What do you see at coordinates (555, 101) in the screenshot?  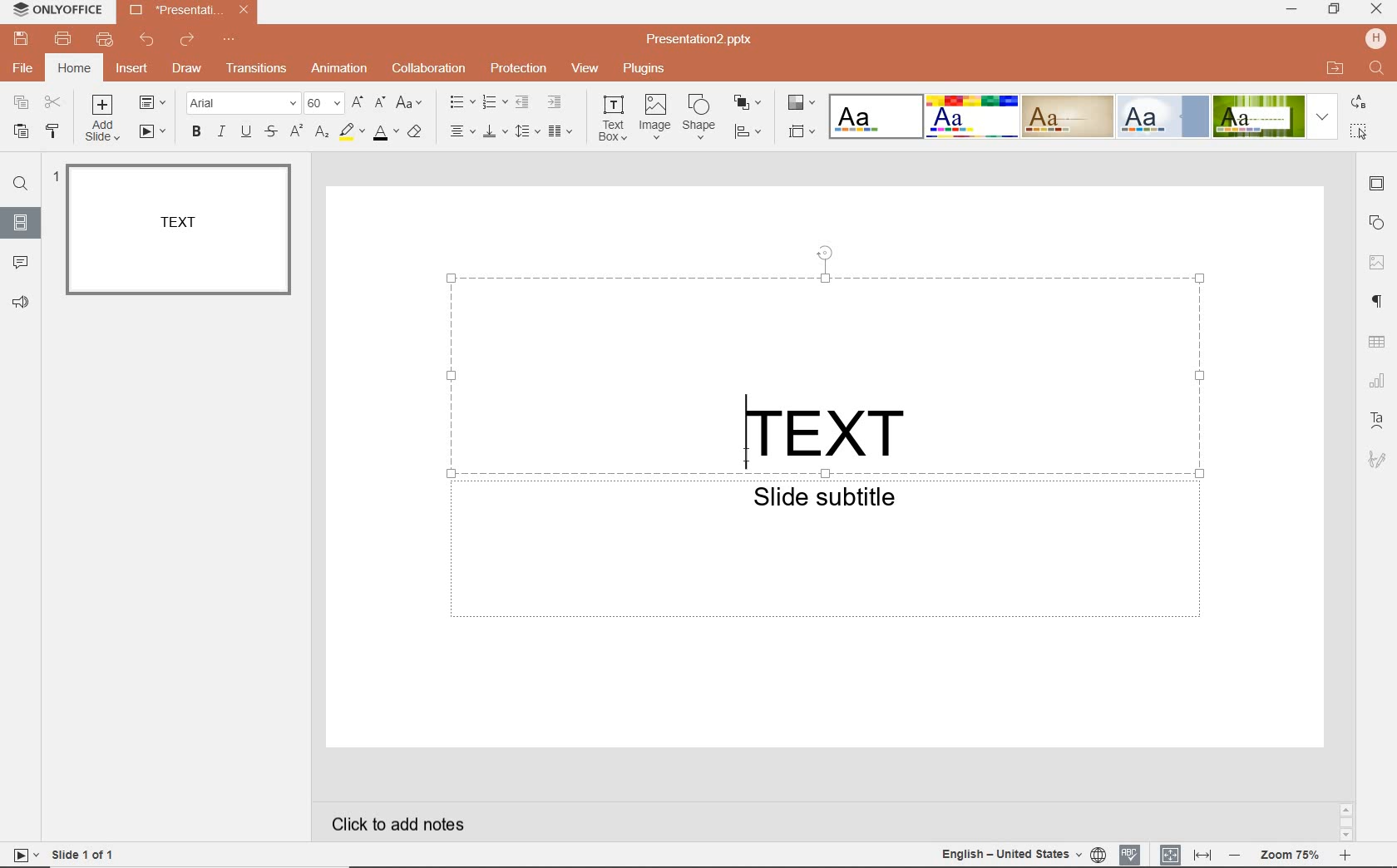 I see `INCREASE INDENT` at bounding box center [555, 101].